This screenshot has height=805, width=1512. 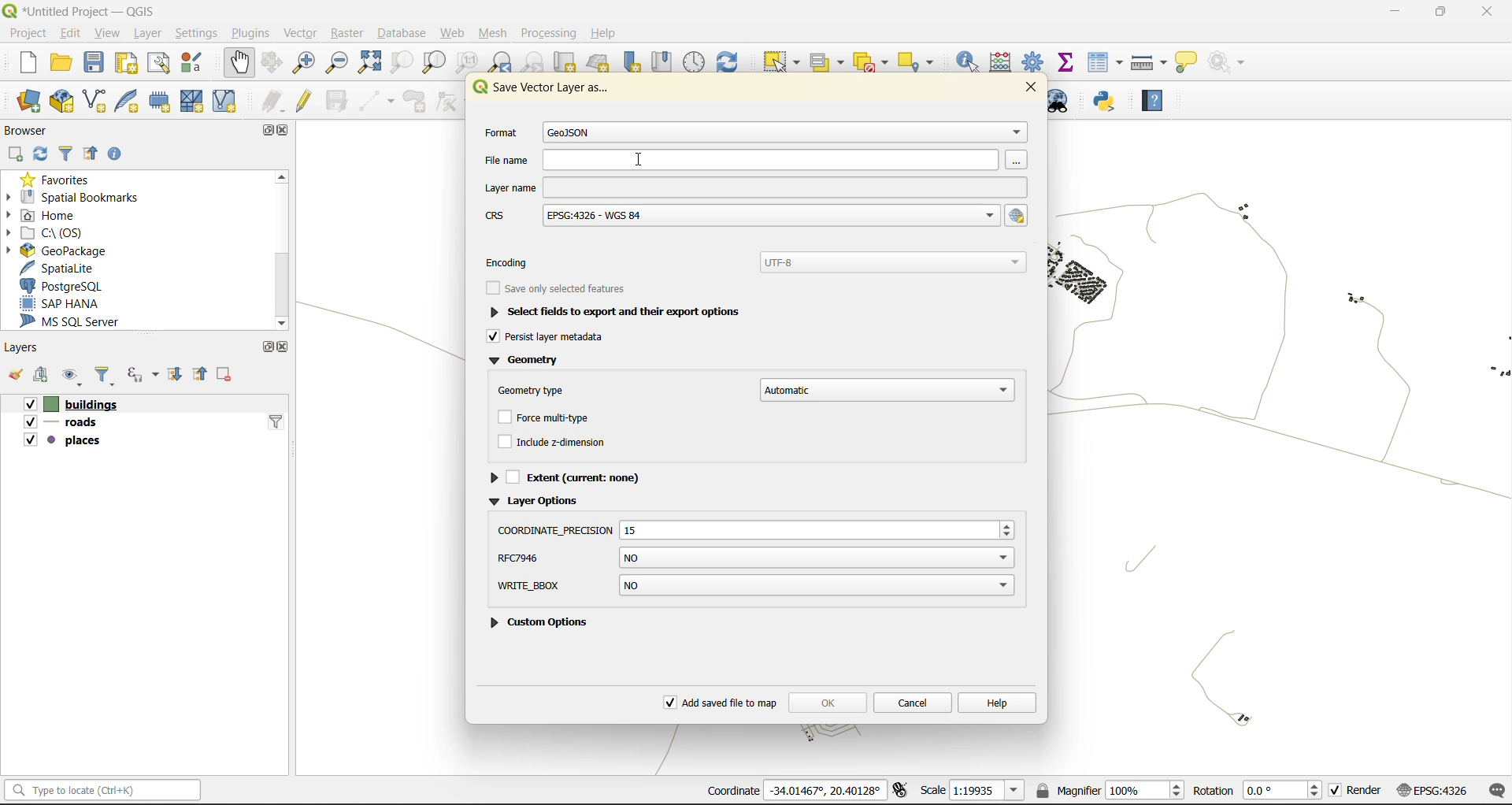 What do you see at coordinates (450, 101) in the screenshot?
I see `vertex tools` at bounding box center [450, 101].